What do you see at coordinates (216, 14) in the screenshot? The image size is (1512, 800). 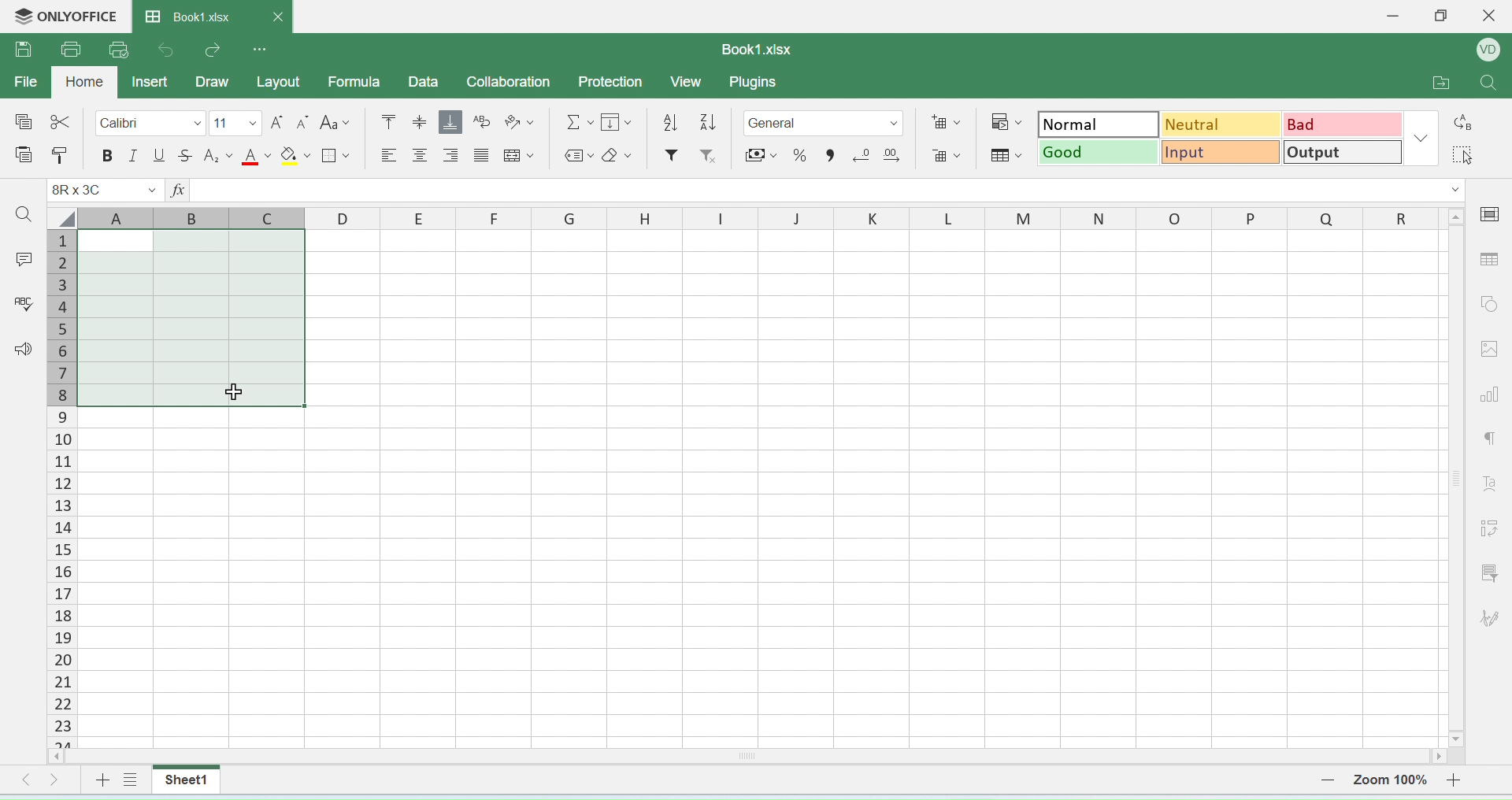 I see `book1.xlsx` at bounding box center [216, 14].